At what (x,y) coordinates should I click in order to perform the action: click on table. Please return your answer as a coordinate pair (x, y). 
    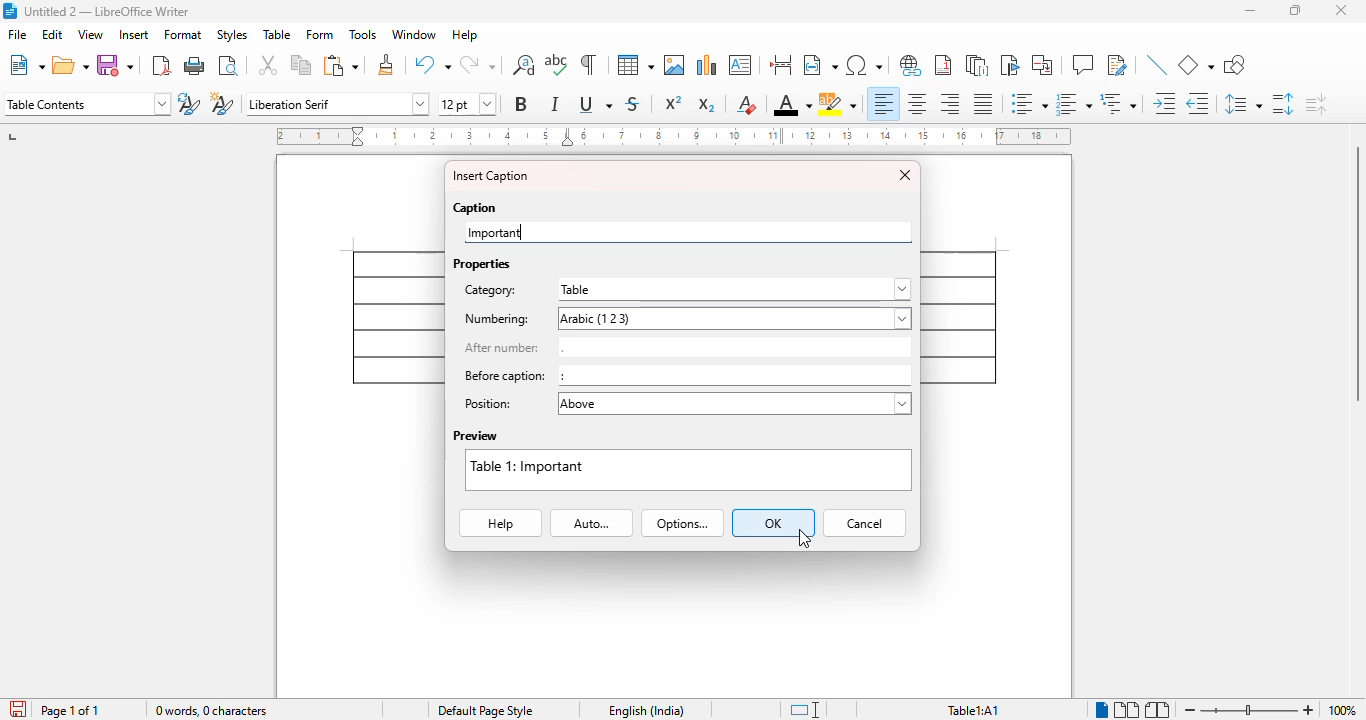
    Looking at the image, I should click on (277, 34).